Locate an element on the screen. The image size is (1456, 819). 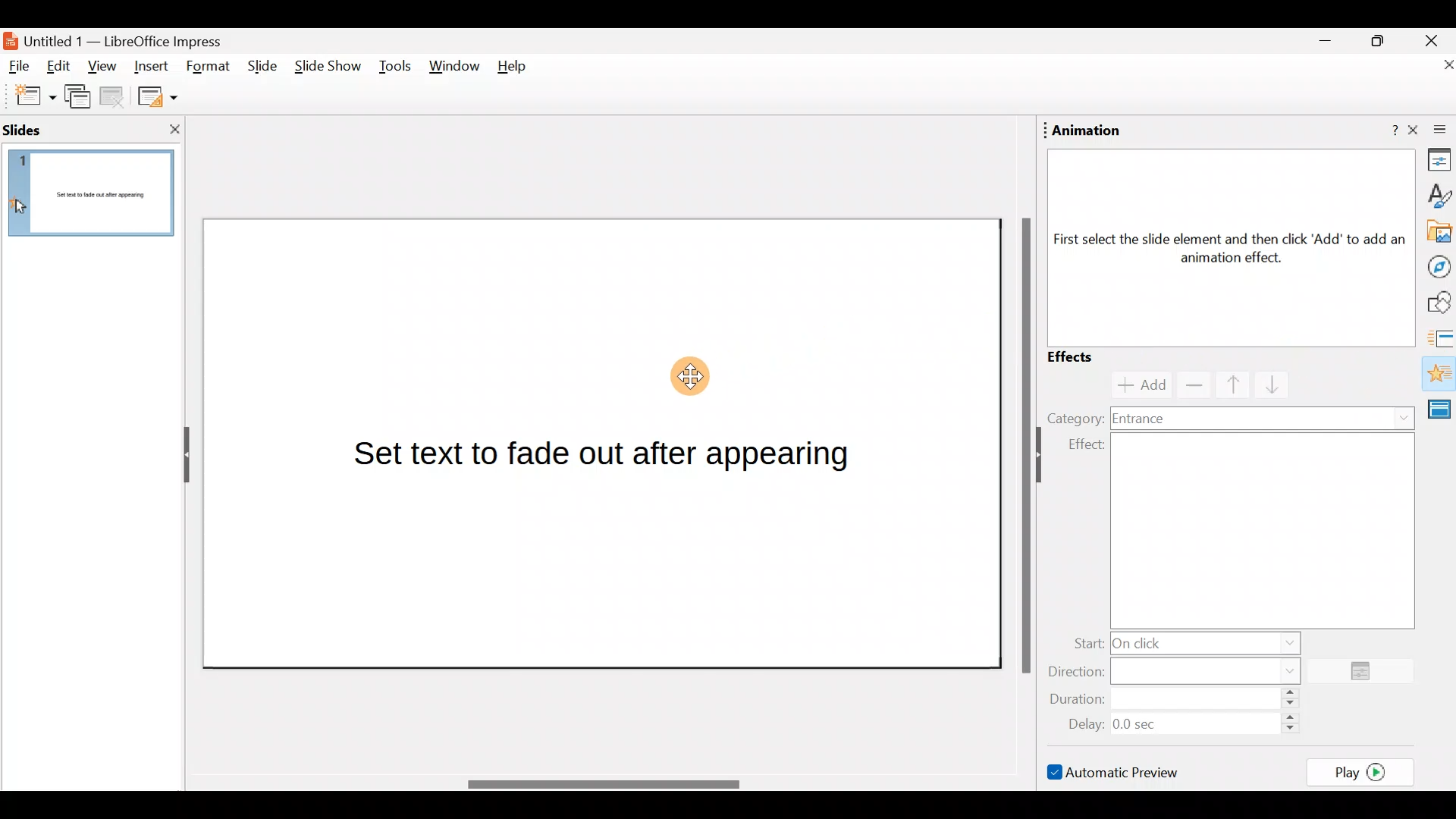
Move up is located at coordinates (1224, 384).